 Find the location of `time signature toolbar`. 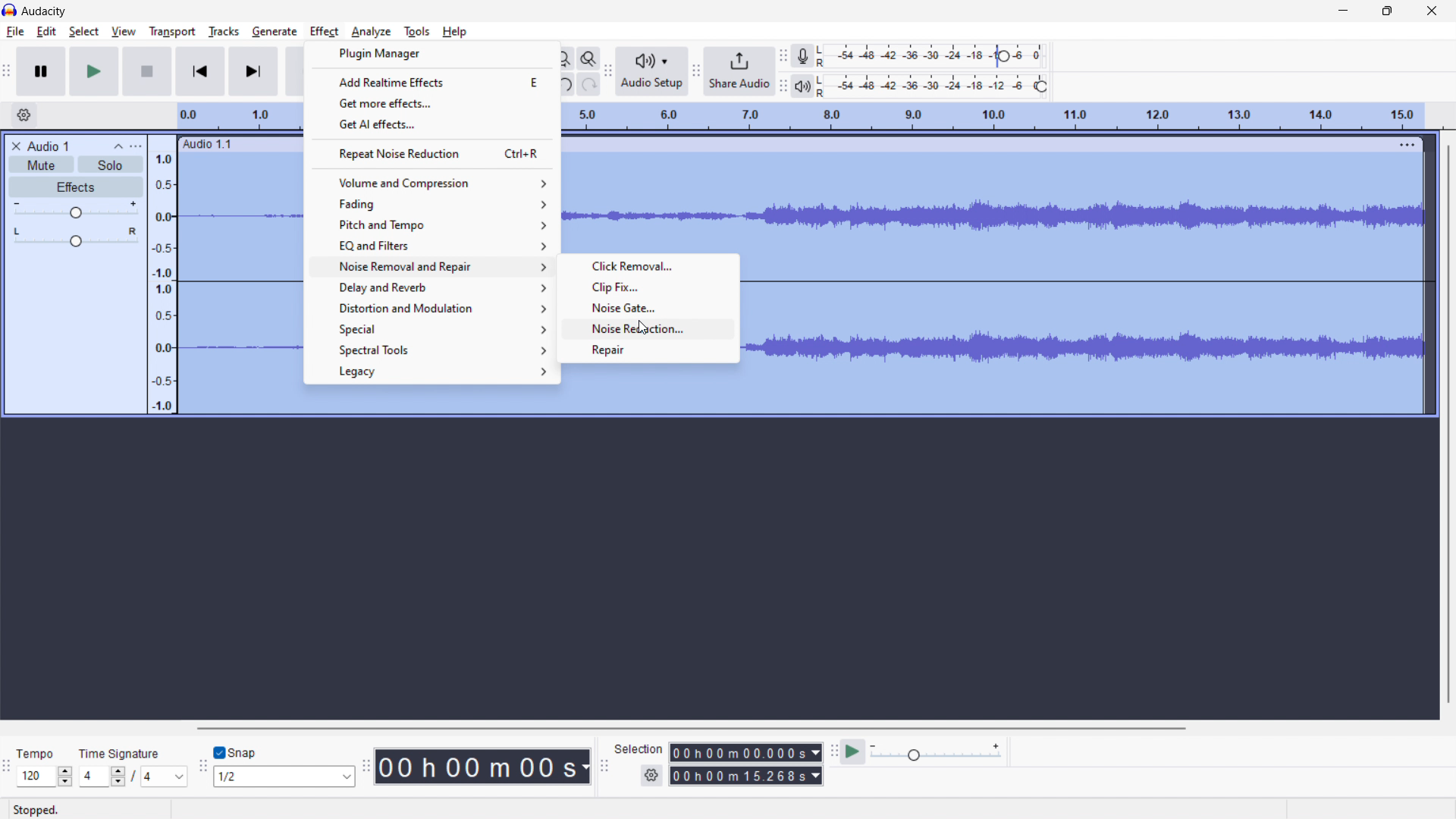

time signature toolbar is located at coordinates (8, 766).